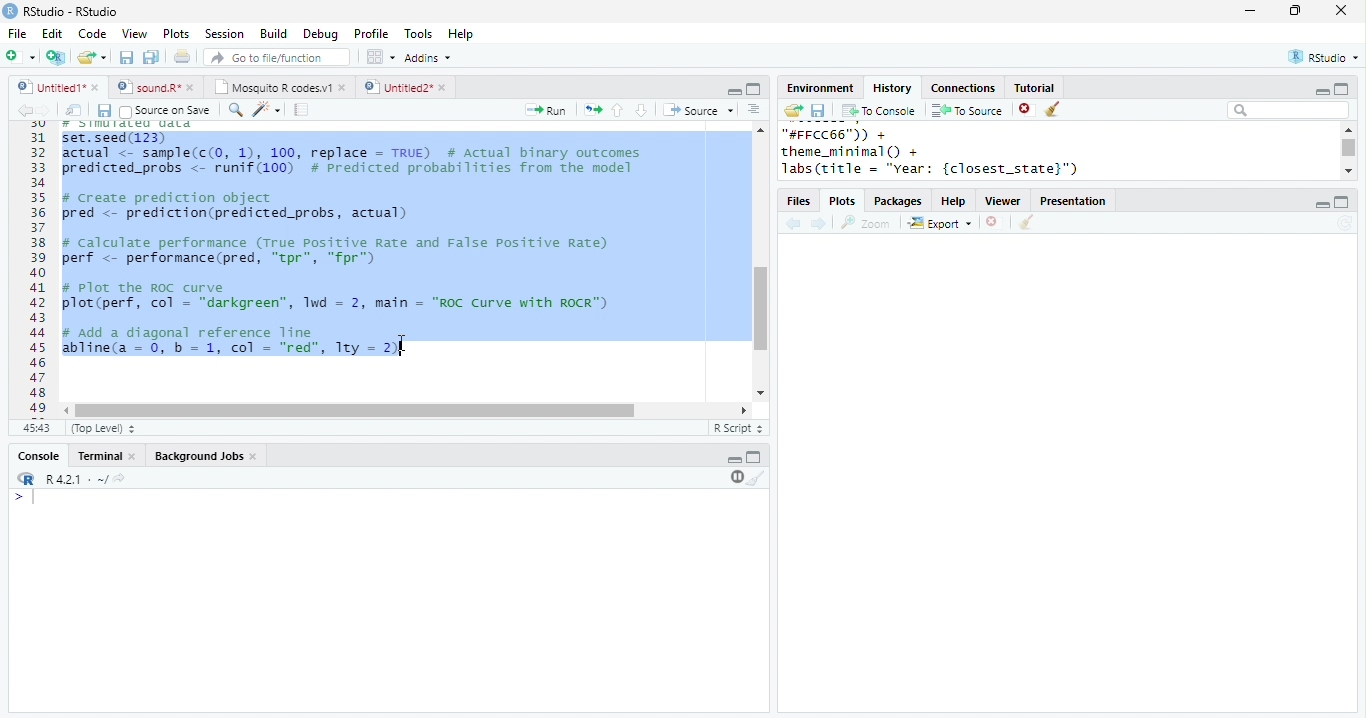  I want to click on Source on Save, so click(163, 111).